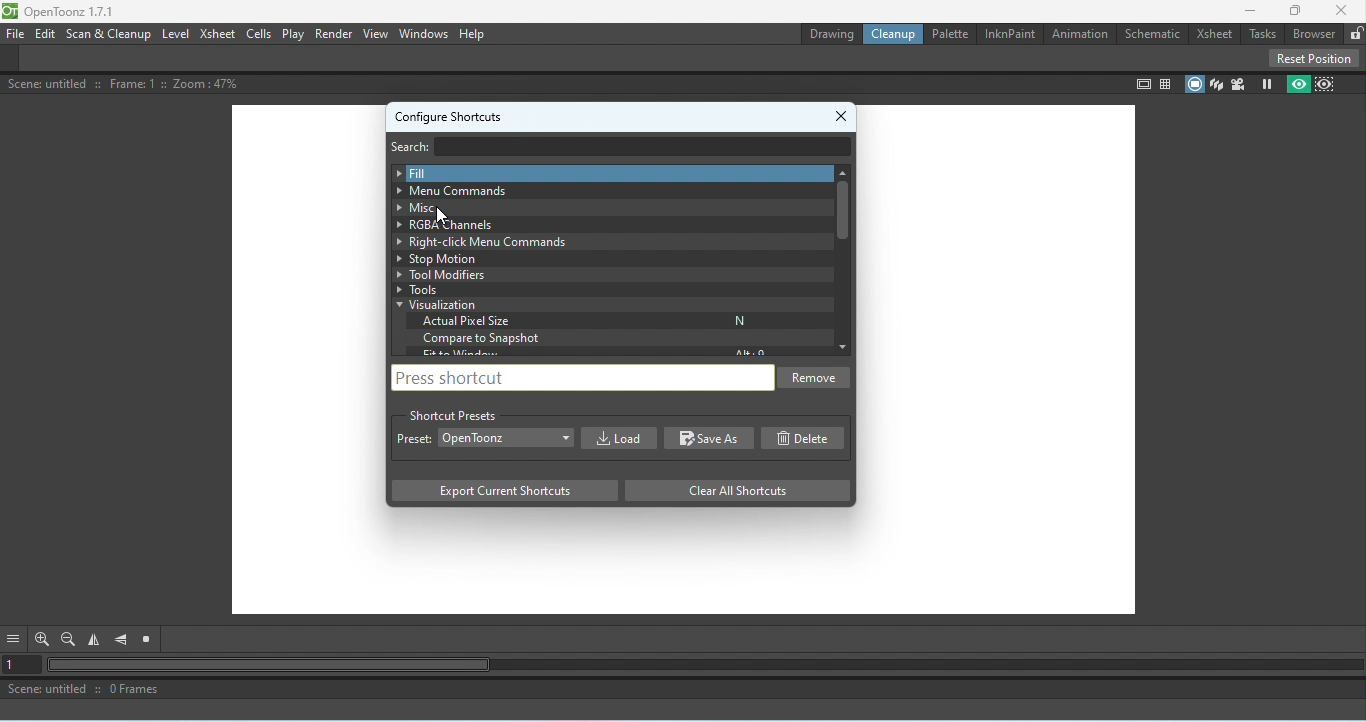 This screenshot has width=1366, height=722. What do you see at coordinates (1008, 34) in the screenshot?
I see `InknPaint` at bounding box center [1008, 34].